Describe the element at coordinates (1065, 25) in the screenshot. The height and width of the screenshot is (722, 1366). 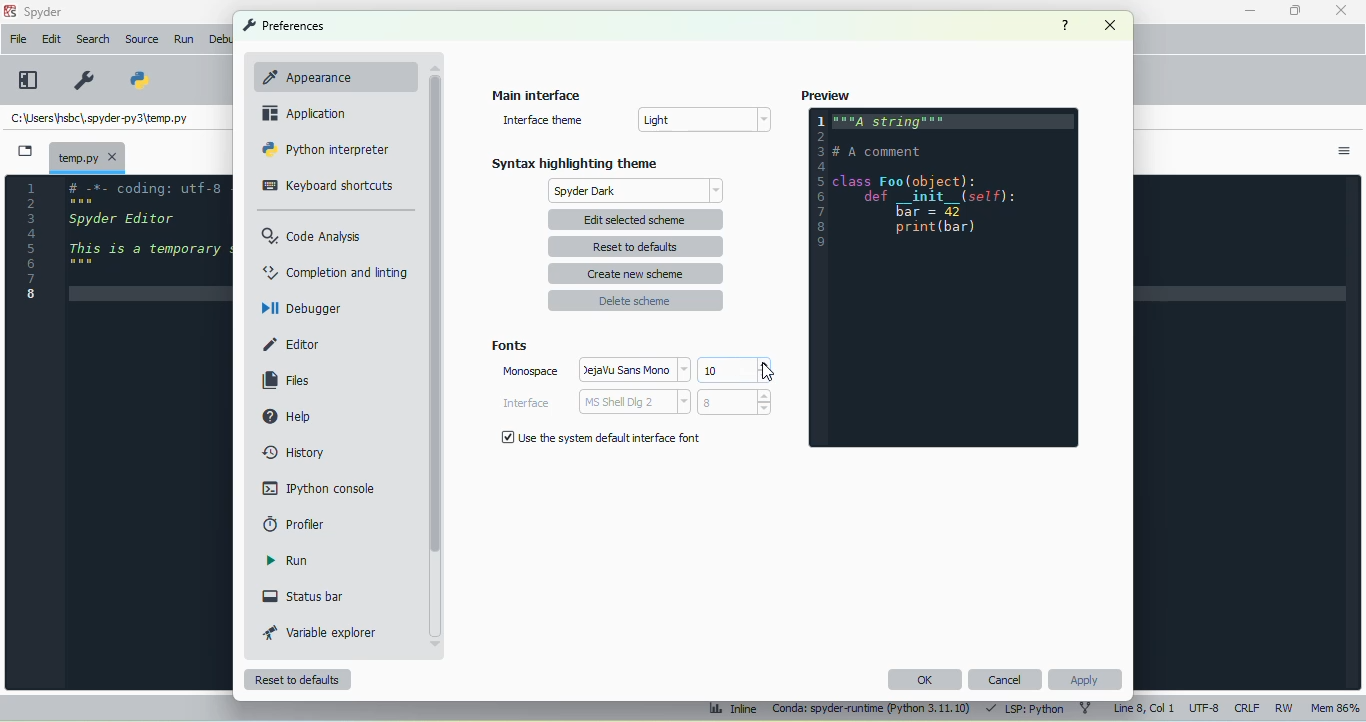
I see `help` at that location.